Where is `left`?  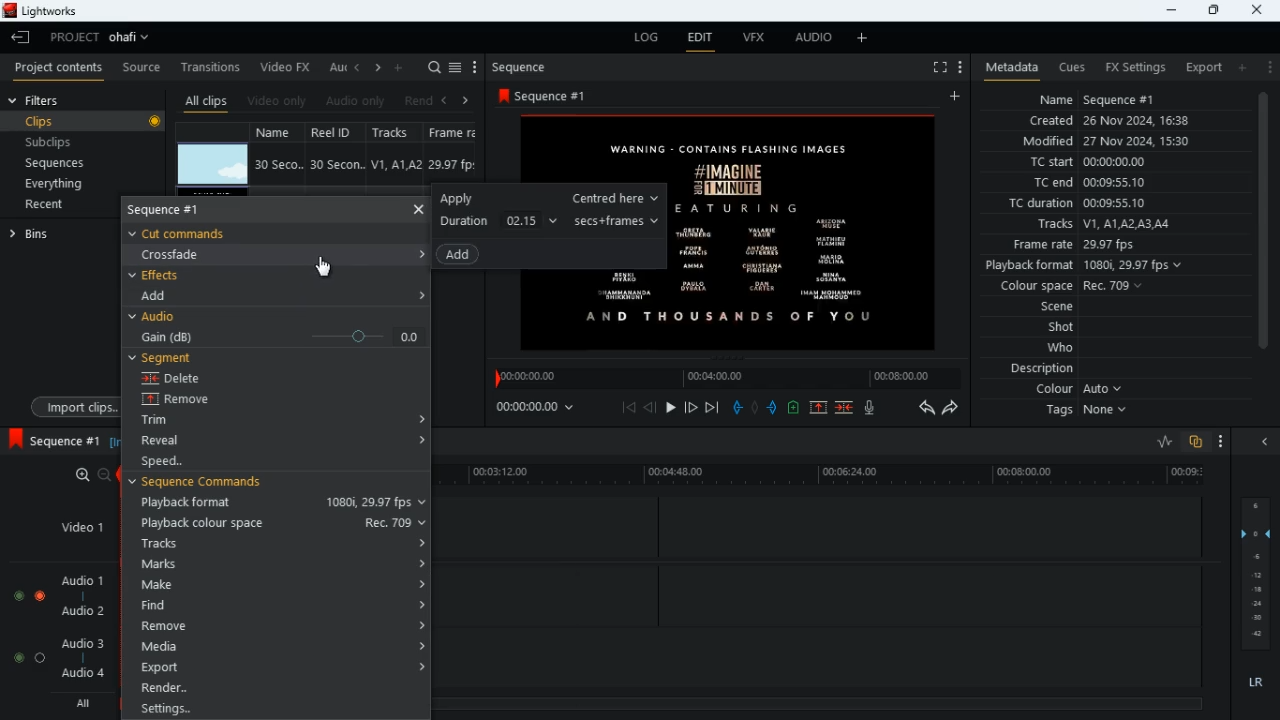 left is located at coordinates (358, 67).